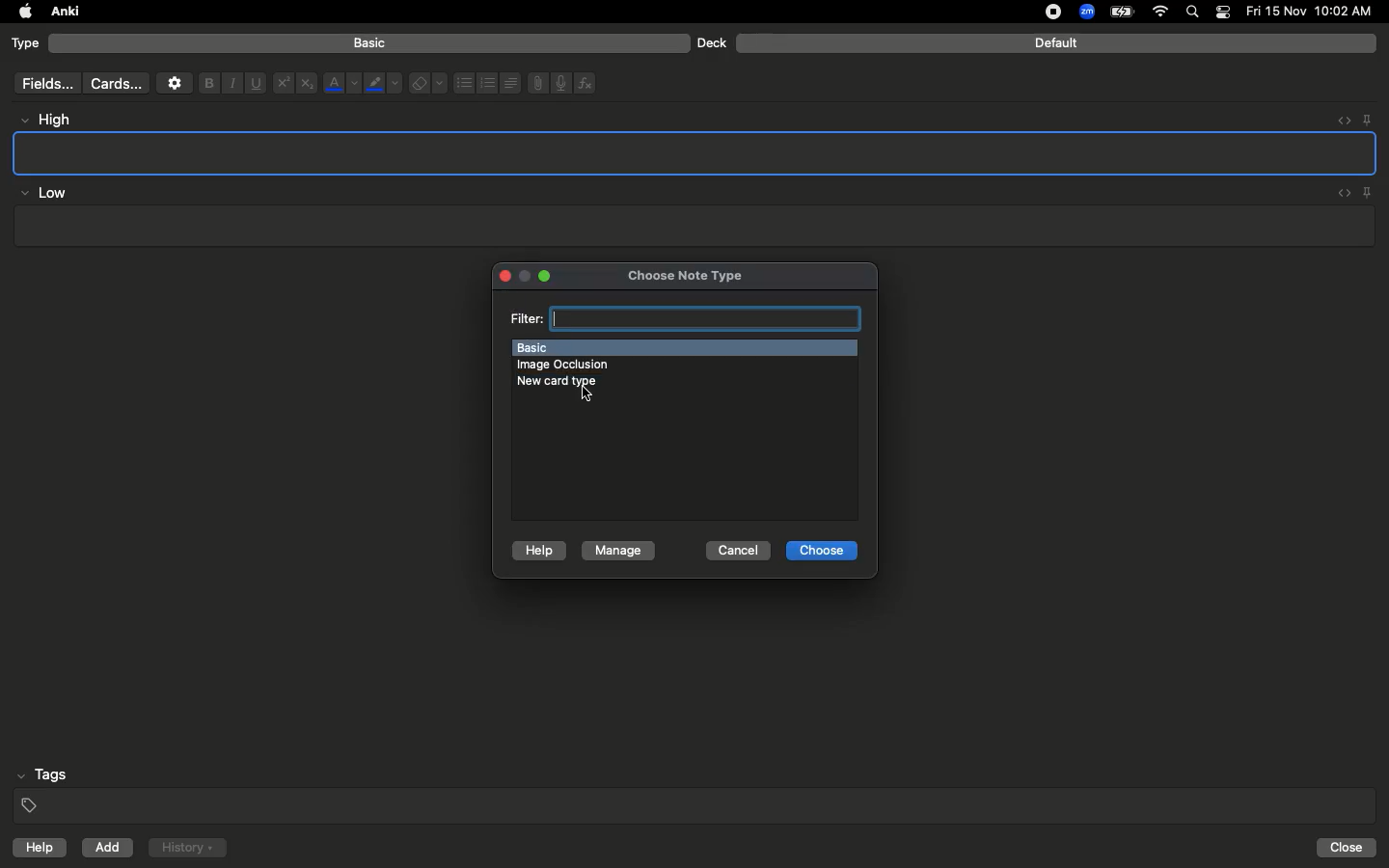  What do you see at coordinates (1338, 121) in the screenshot?
I see `Embed` at bounding box center [1338, 121].